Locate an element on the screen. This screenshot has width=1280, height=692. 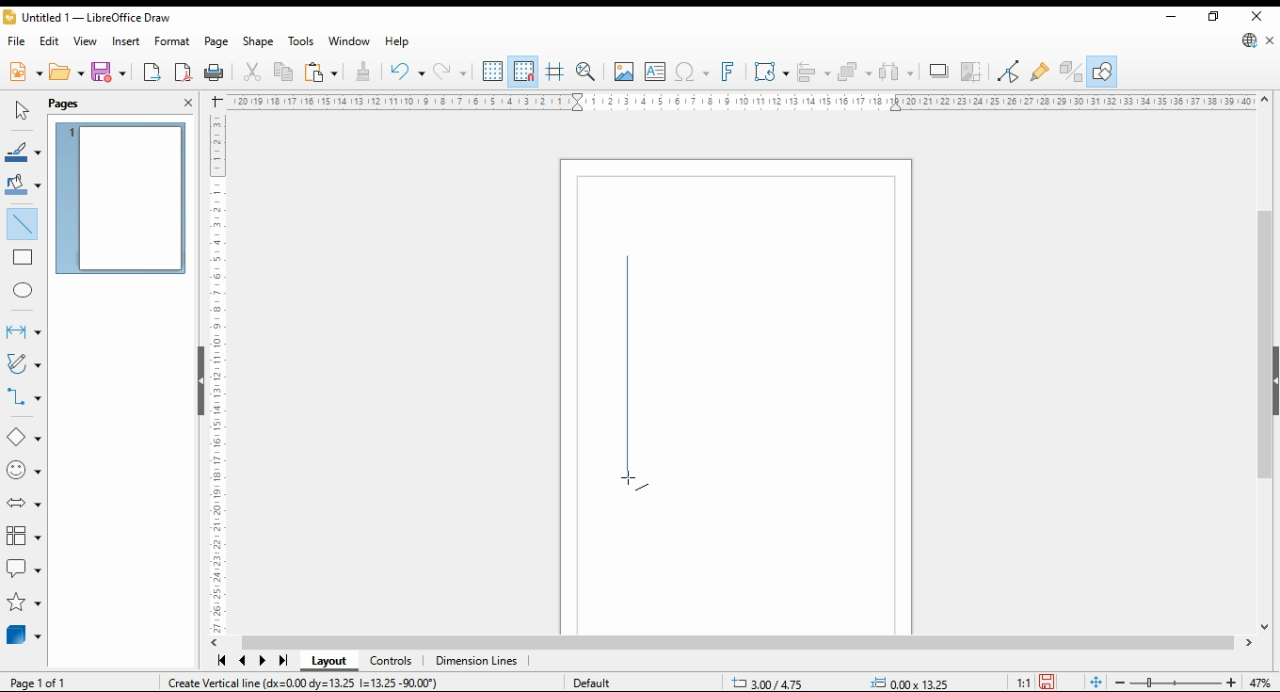
help is located at coordinates (398, 42).